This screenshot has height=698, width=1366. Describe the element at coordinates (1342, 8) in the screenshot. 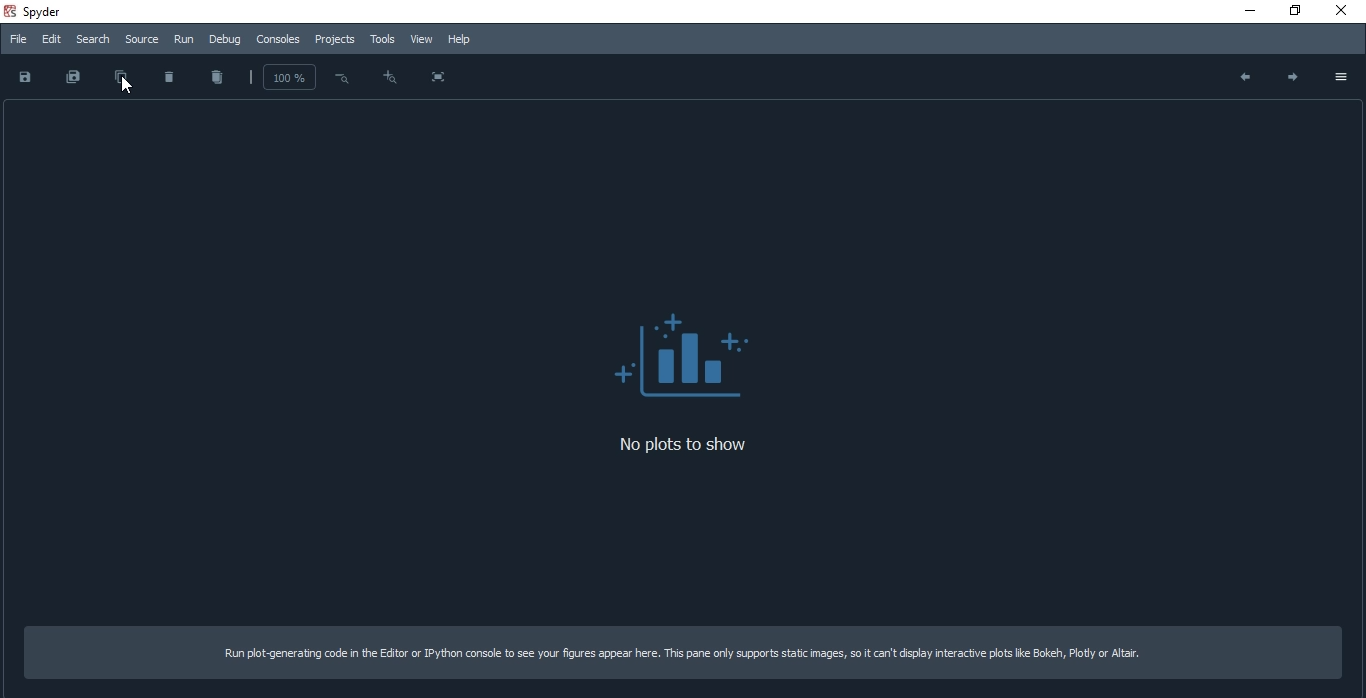

I see `close` at that location.